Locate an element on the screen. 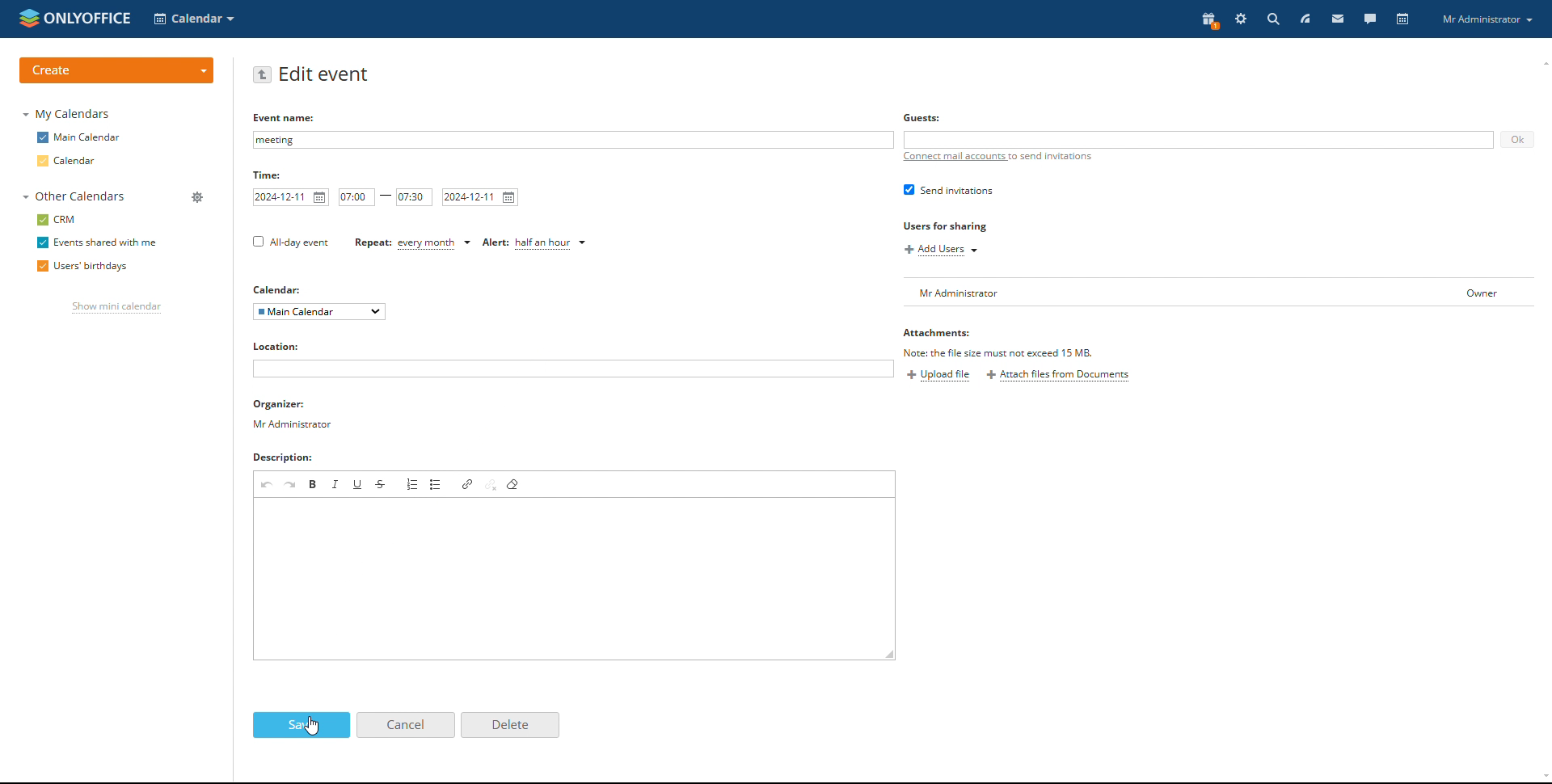  show mini calendar is located at coordinates (116, 309).